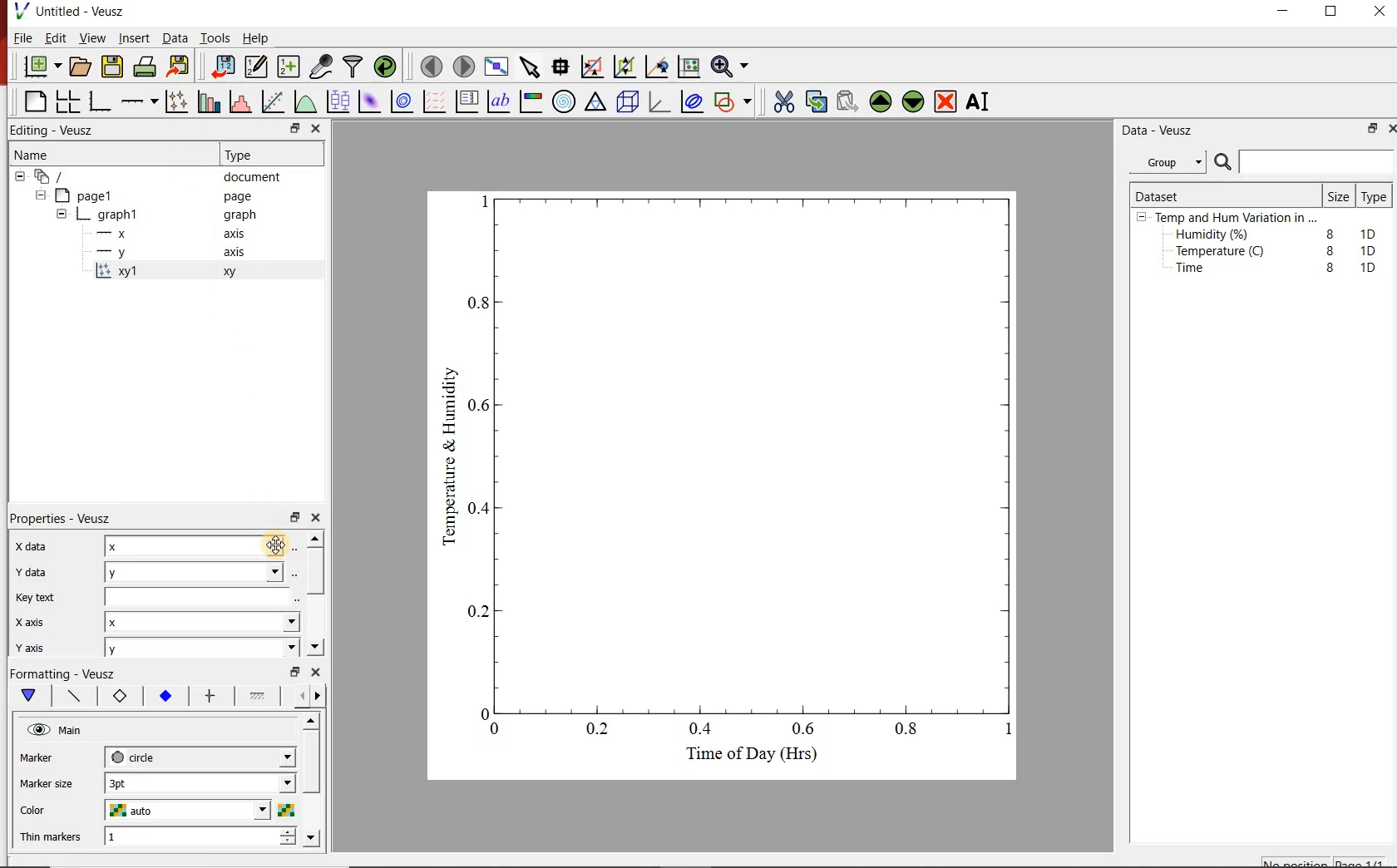  I want to click on 1, so click(160, 838).